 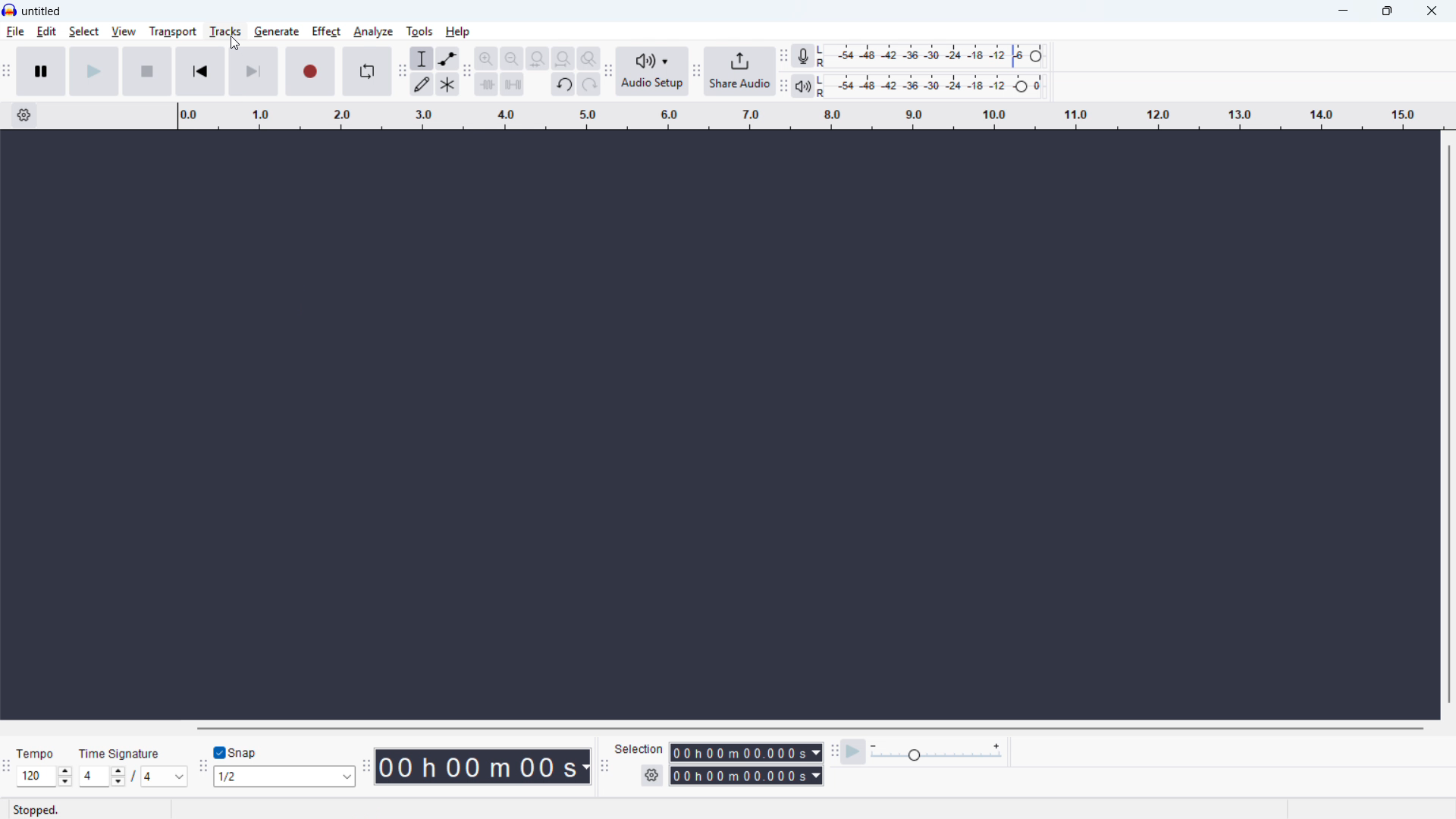 What do you see at coordinates (36, 810) in the screenshot?
I see `stopped.` at bounding box center [36, 810].